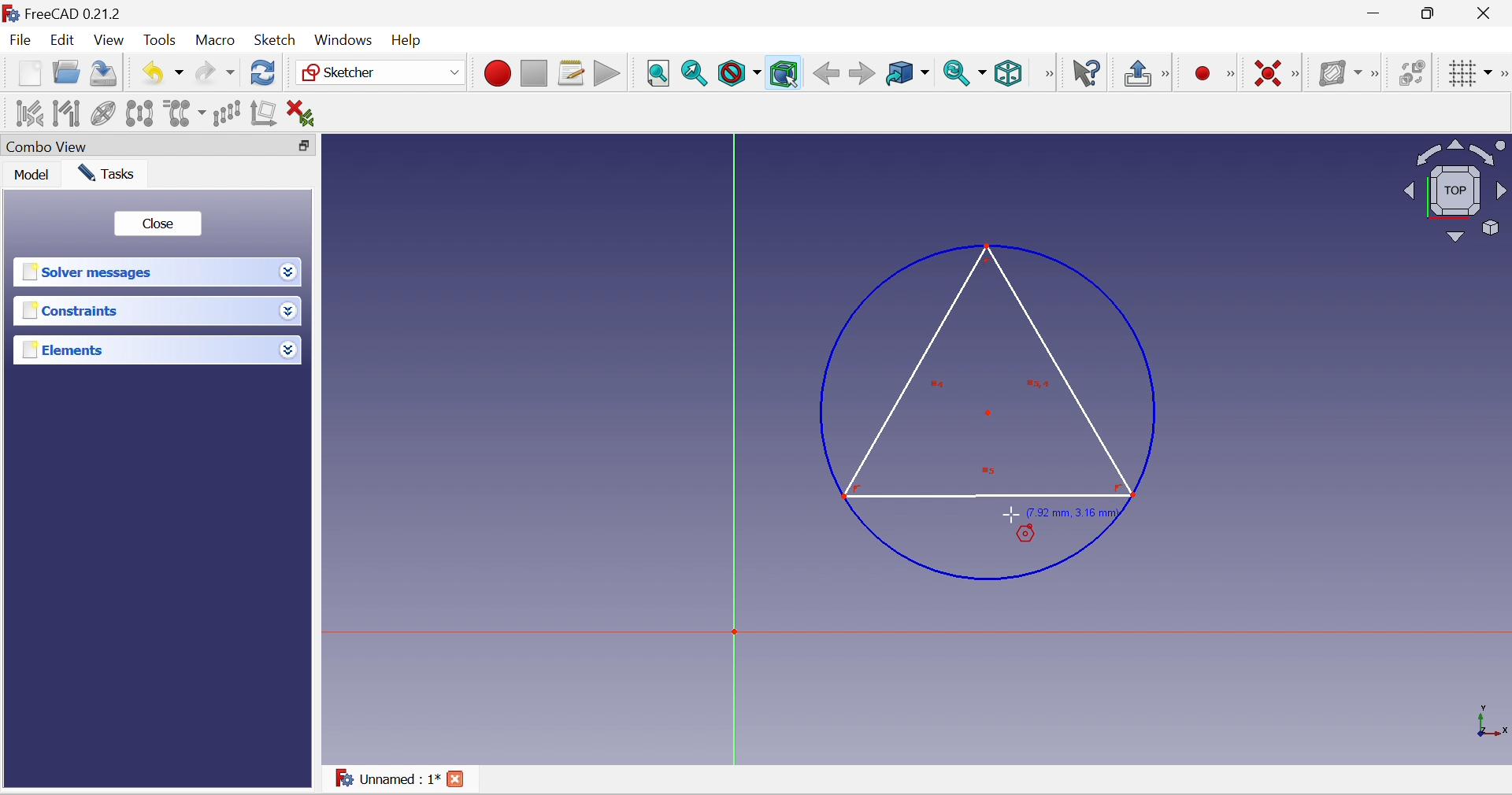 Image resolution: width=1512 pixels, height=795 pixels. What do you see at coordinates (66, 113) in the screenshot?
I see `Select associated geometry` at bounding box center [66, 113].